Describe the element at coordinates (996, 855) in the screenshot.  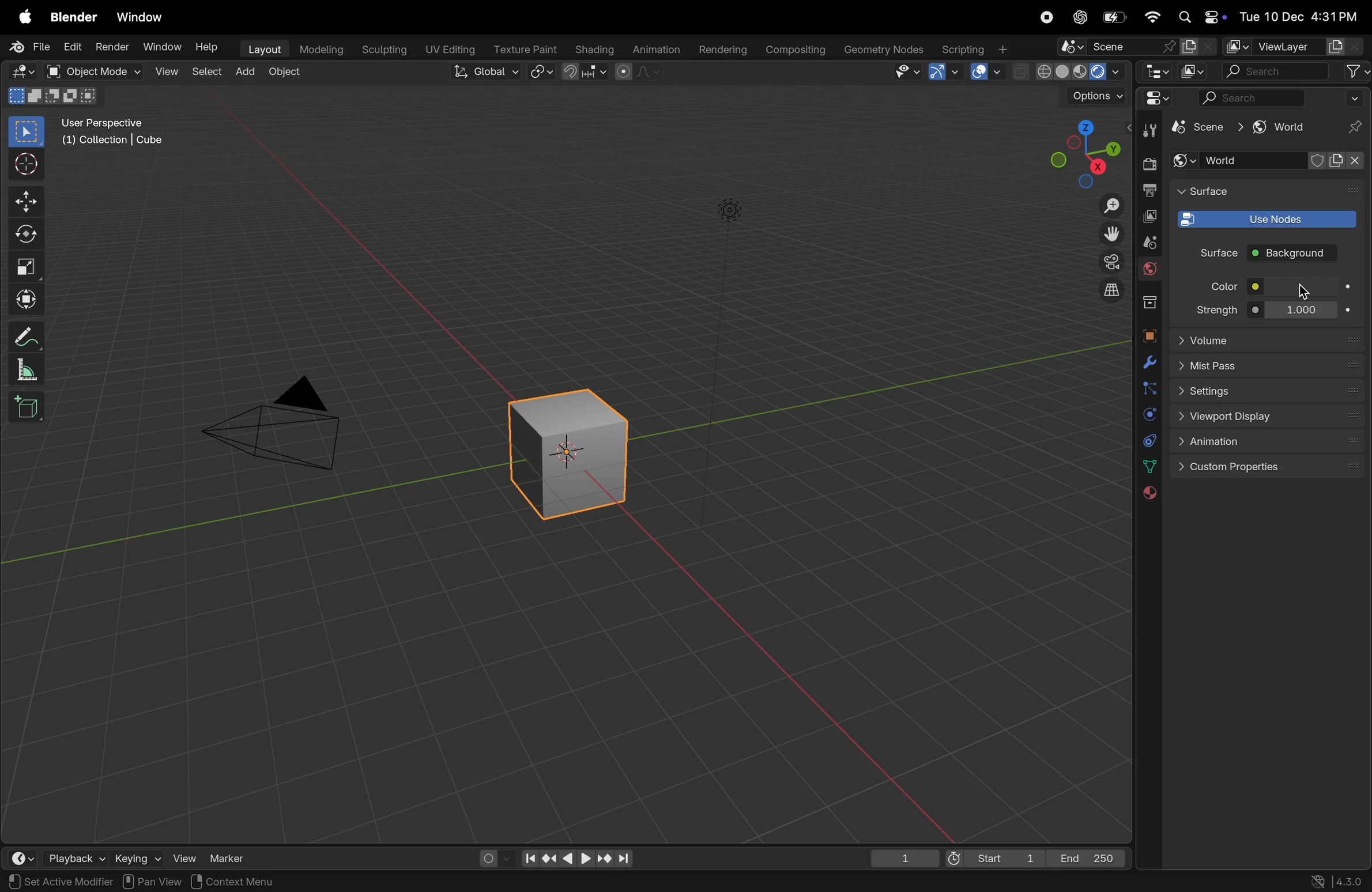
I see `start` at that location.